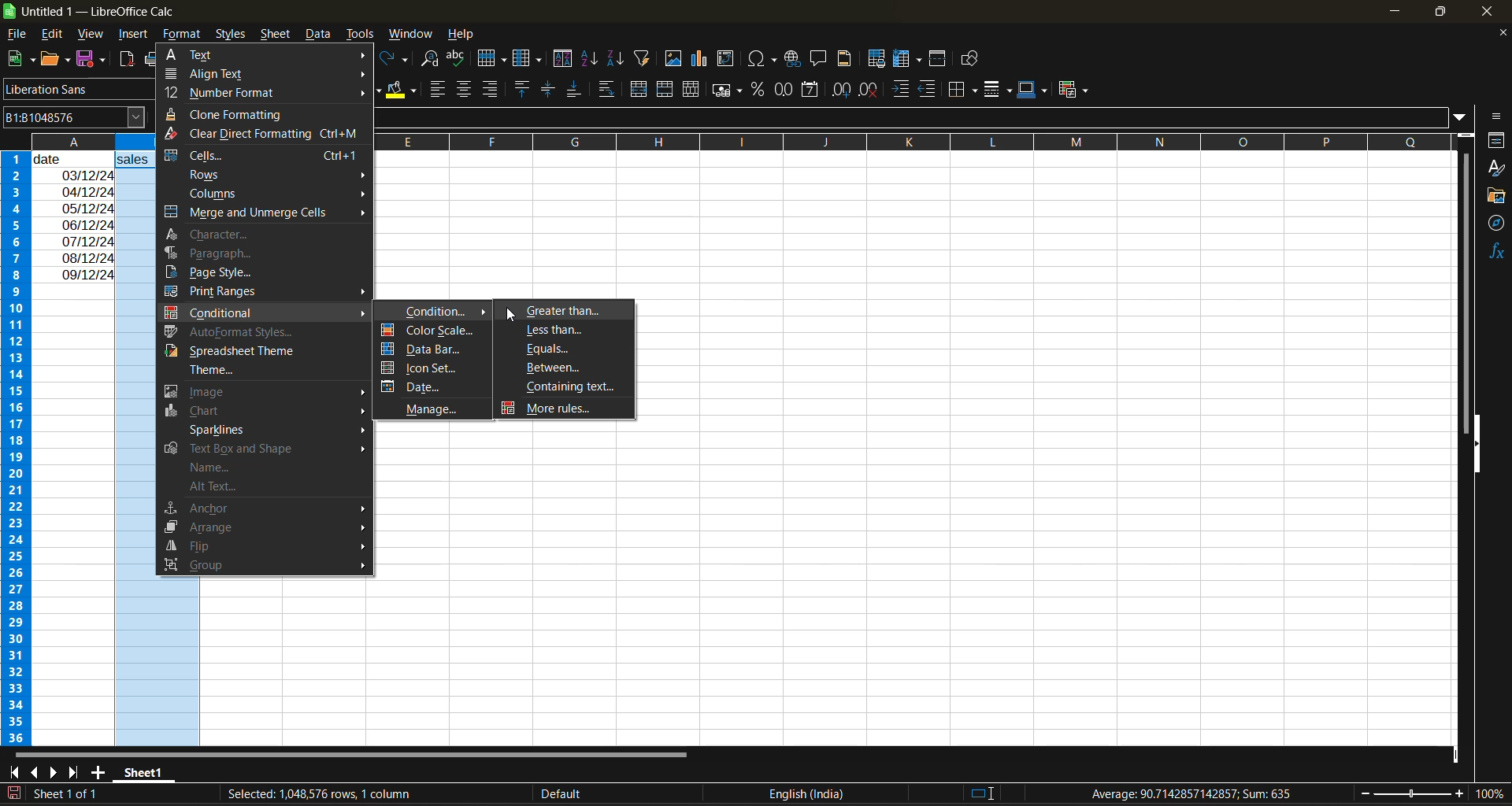 Image resolution: width=1512 pixels, height=806 pixels. Describe the element at coordinates (939, 59) in the screenshot. I see `split window` at that location.